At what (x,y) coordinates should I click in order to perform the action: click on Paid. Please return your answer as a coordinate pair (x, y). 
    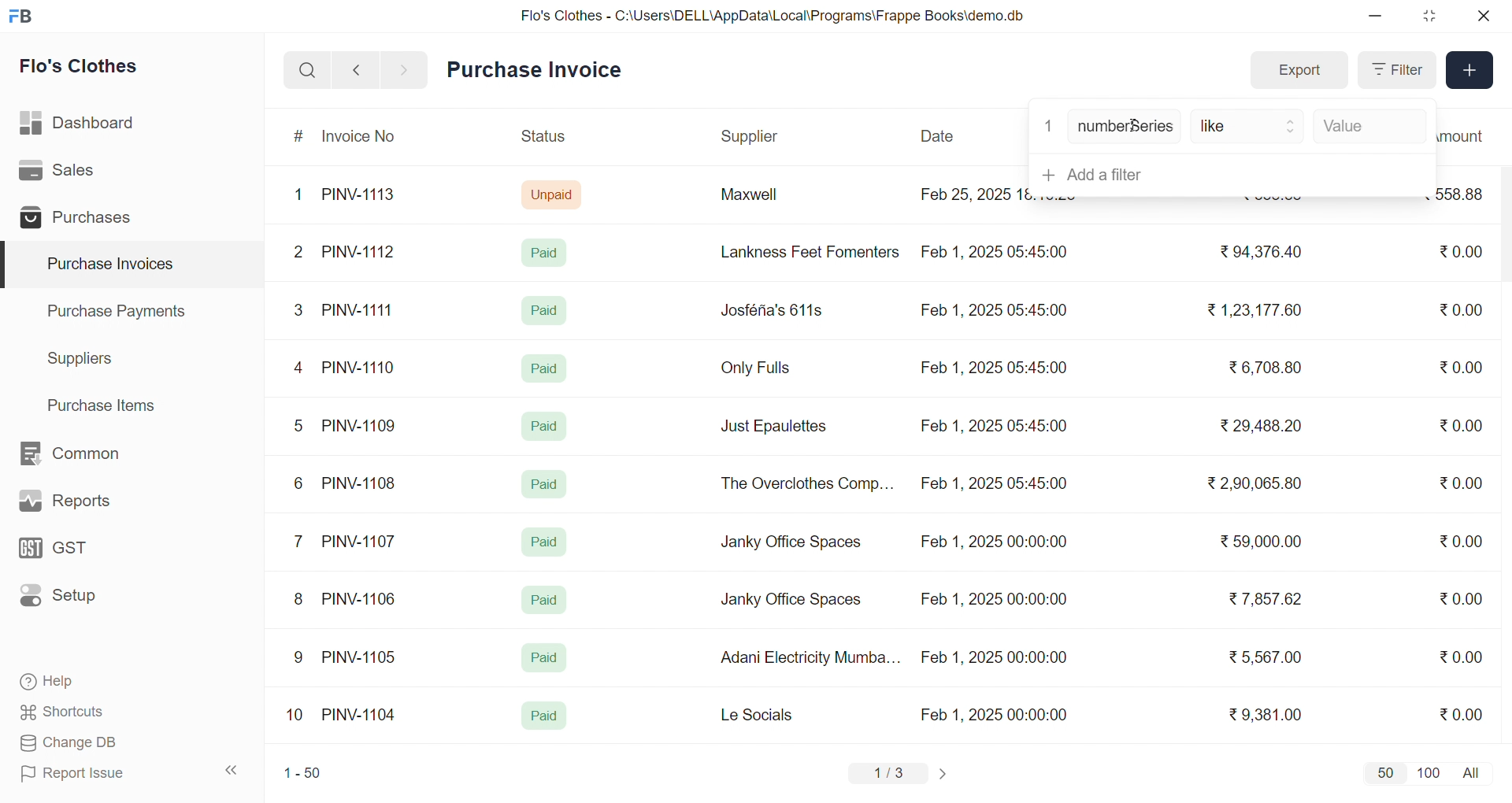
    Looking at the image, I should click on (547, 424).